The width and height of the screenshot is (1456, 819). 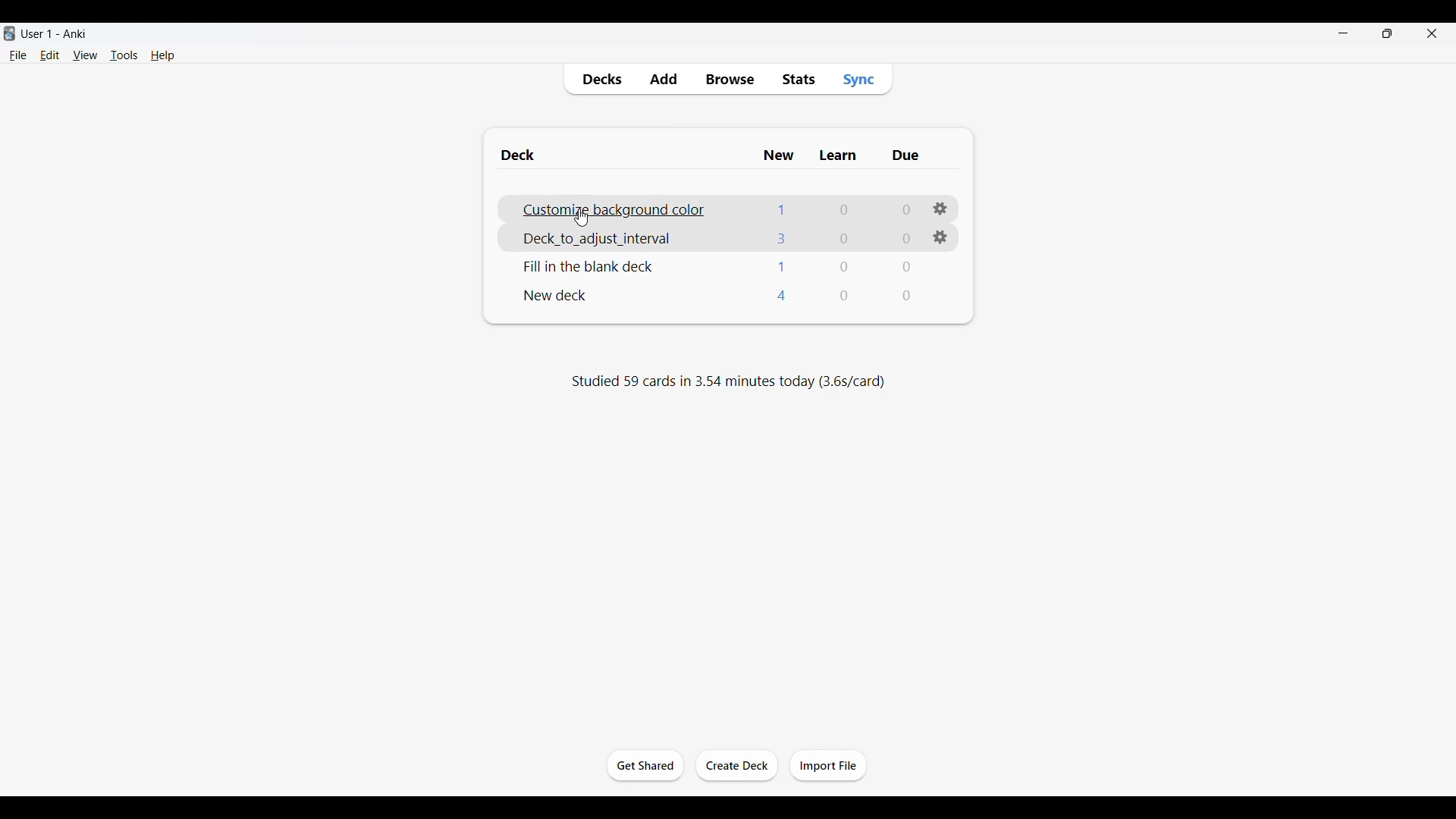 I want to click on Deck list, so click(x=558, y=296).